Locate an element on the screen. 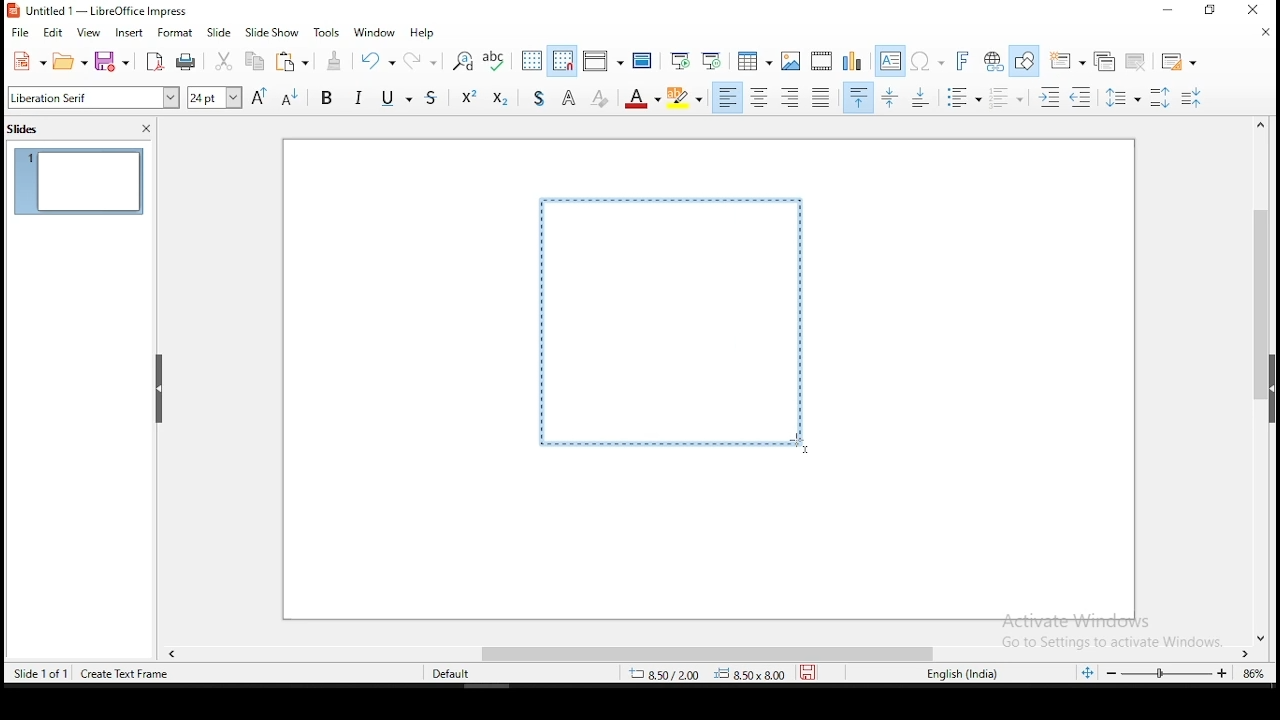 The height and width of the screenshot is (720, 1280). justified is located at coordinates (822, 98).